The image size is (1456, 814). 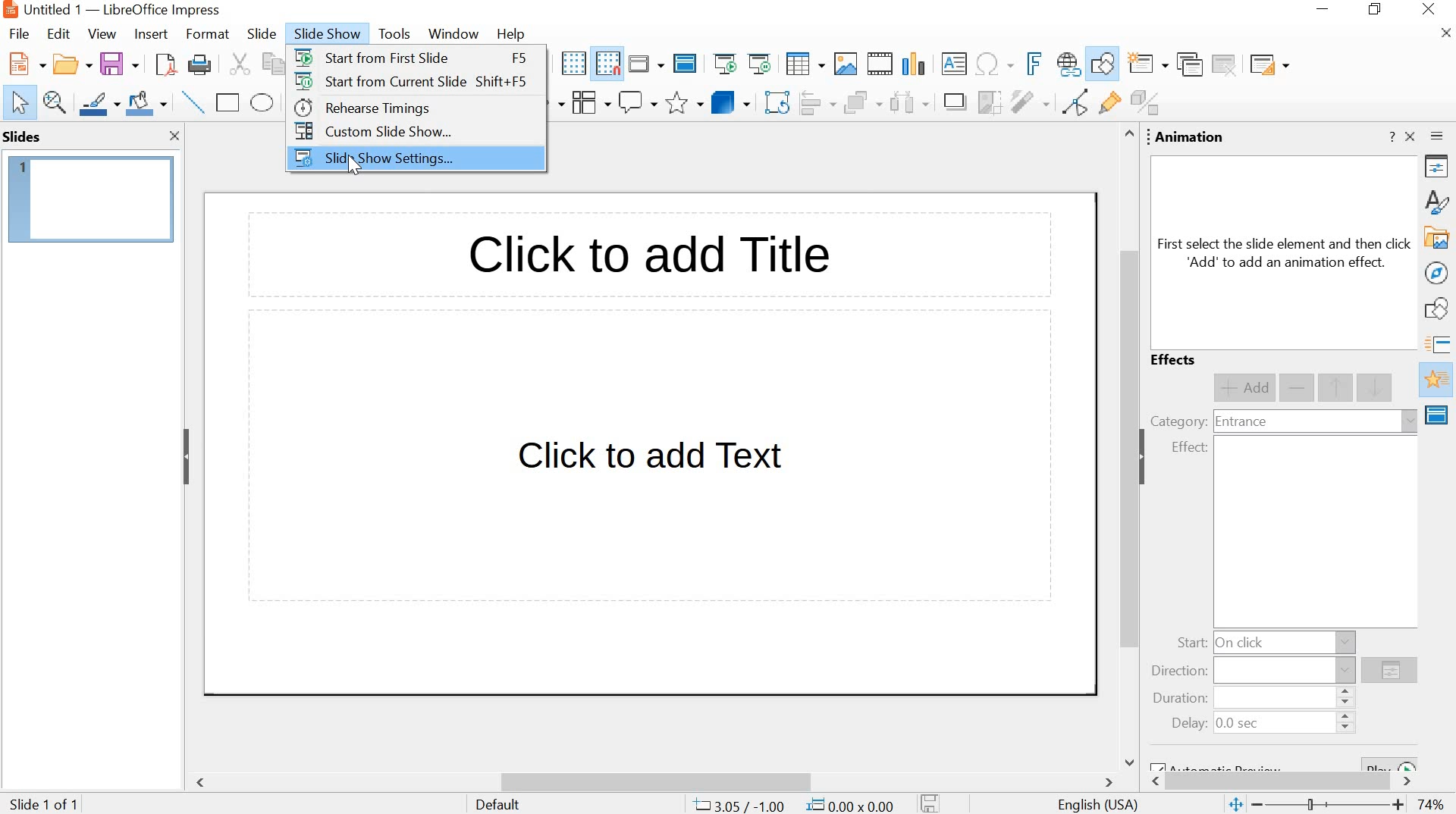 I want to click on direction, so click(x=1180, y=672).